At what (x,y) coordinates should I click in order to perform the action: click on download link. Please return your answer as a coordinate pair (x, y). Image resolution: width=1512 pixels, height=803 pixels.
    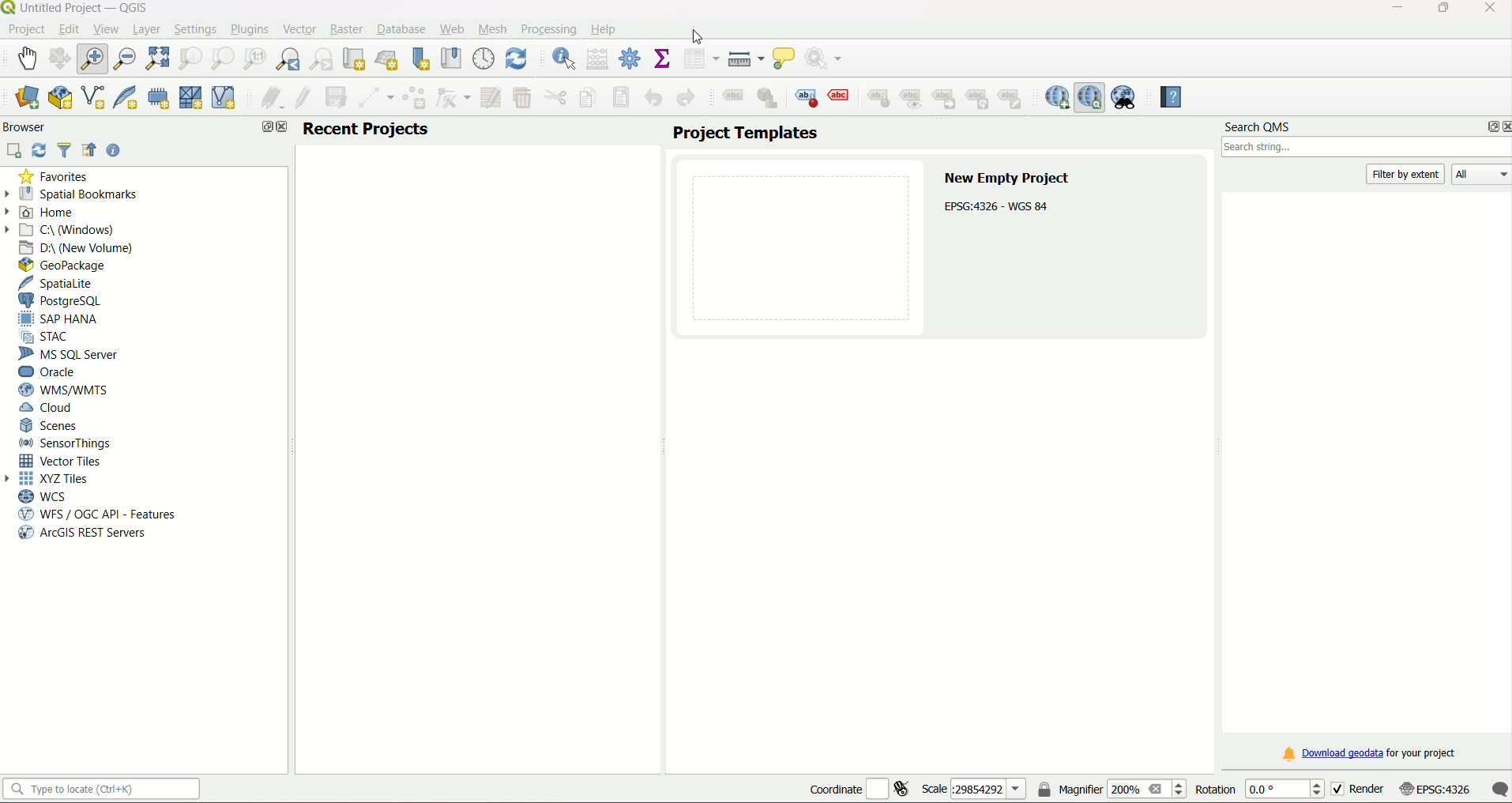
    Looking at the image, I should click on (1367, 754).